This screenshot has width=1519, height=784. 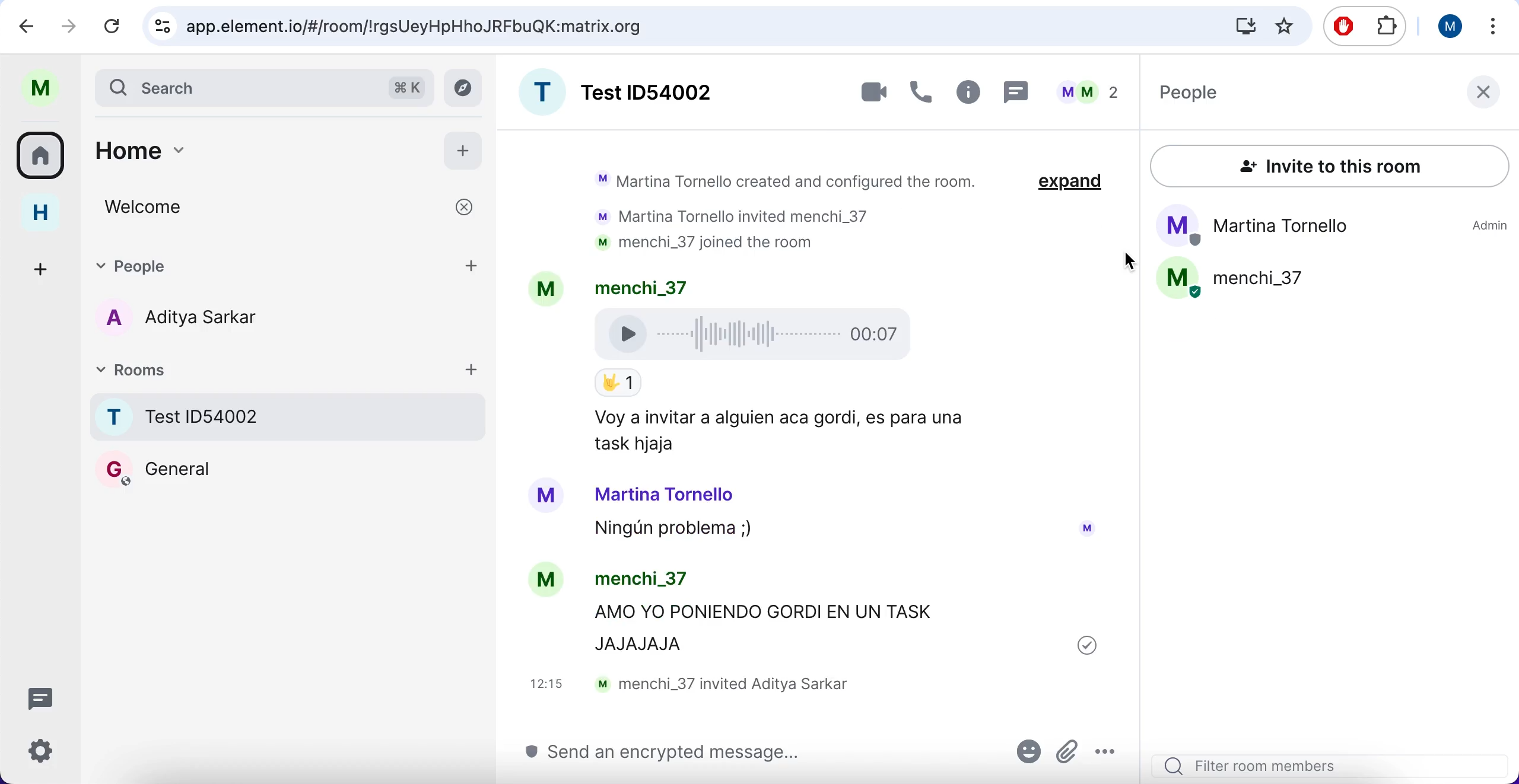 I want to click on home, so click(x=253, y=151).